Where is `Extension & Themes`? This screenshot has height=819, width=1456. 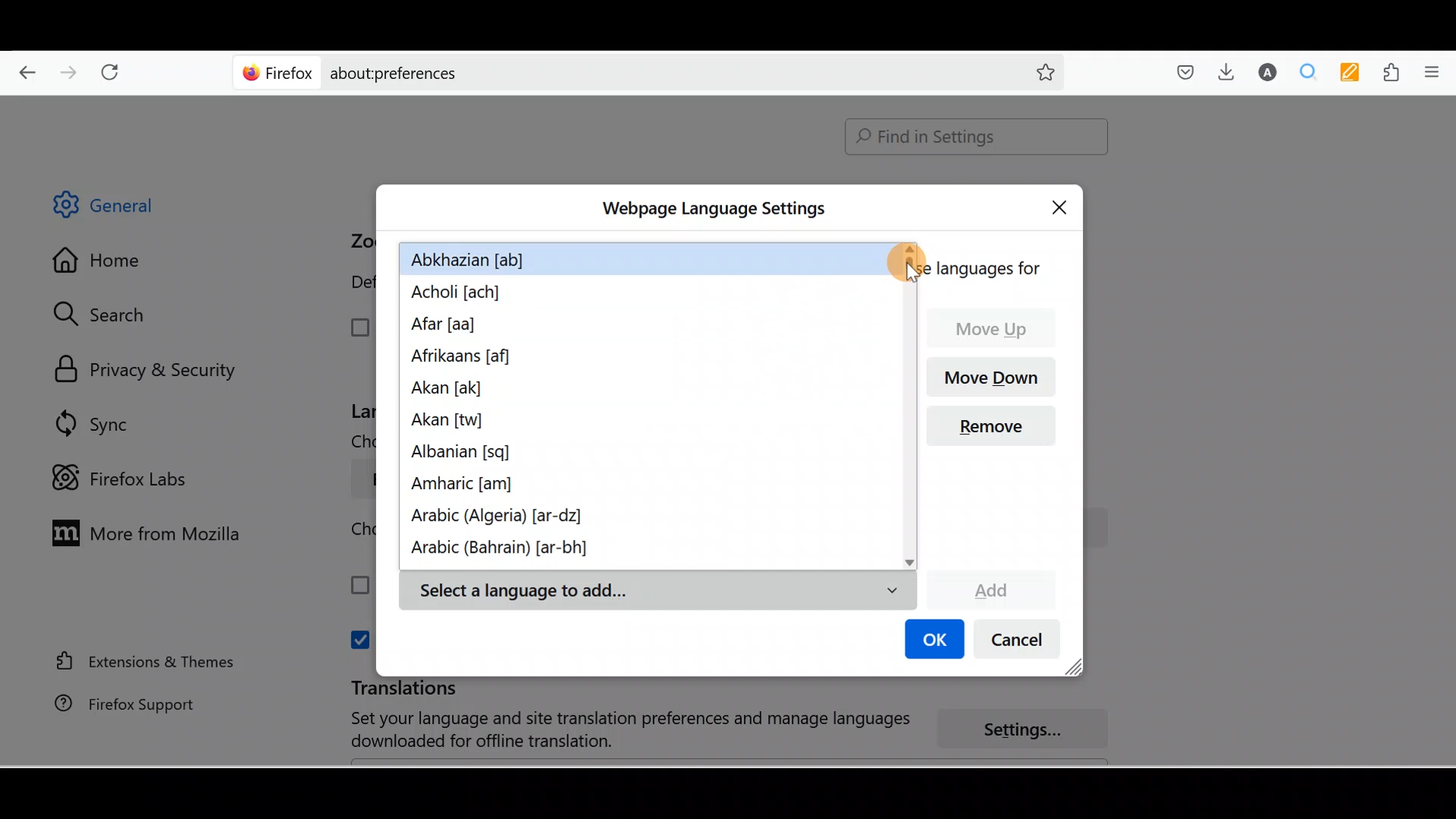
Extension & Themes is located at coordinates (138, 661).